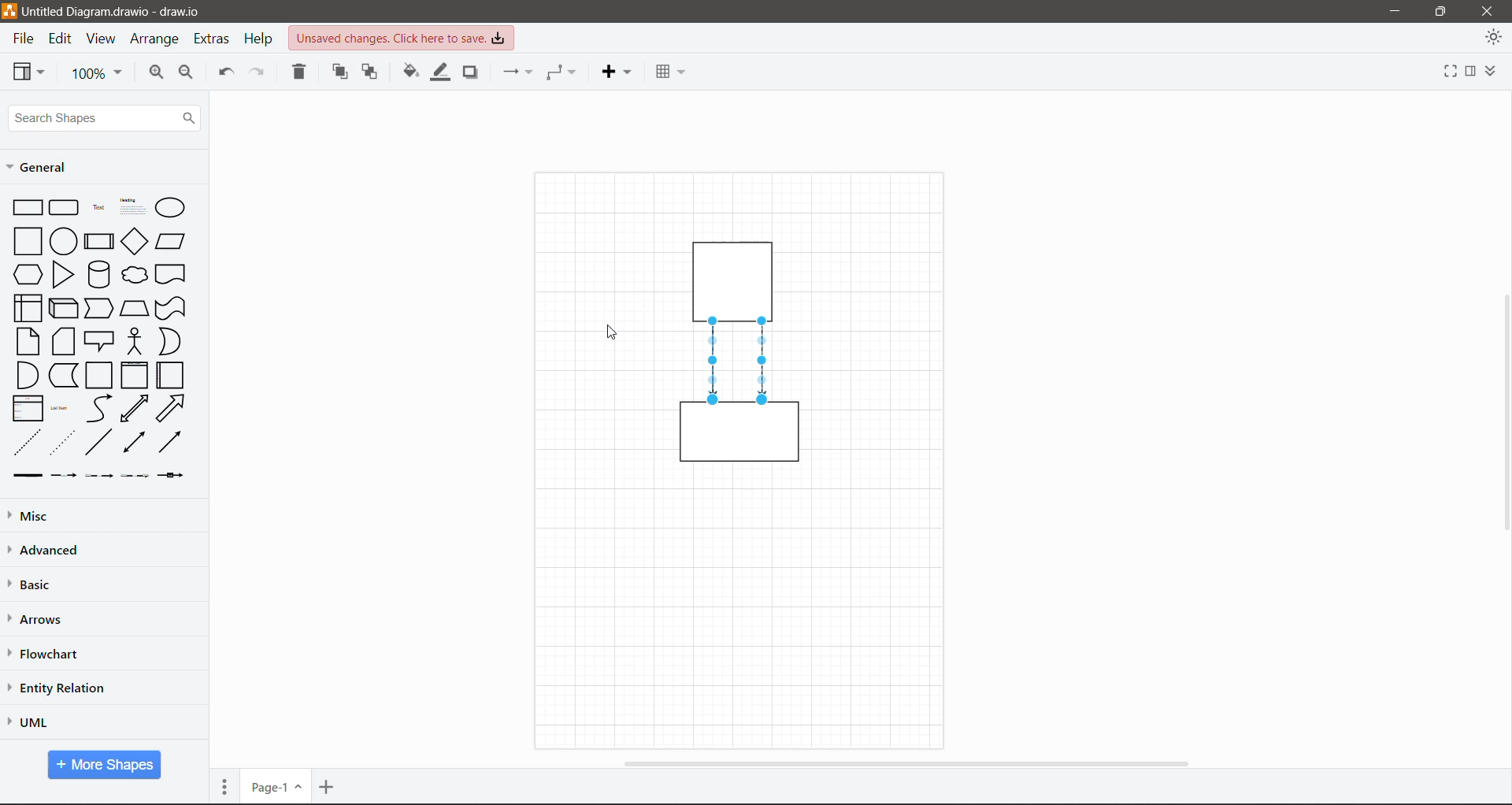  Describe the element at coordinates (99, 476) in the screenshot. I see `connector with 2 labels` at that location.